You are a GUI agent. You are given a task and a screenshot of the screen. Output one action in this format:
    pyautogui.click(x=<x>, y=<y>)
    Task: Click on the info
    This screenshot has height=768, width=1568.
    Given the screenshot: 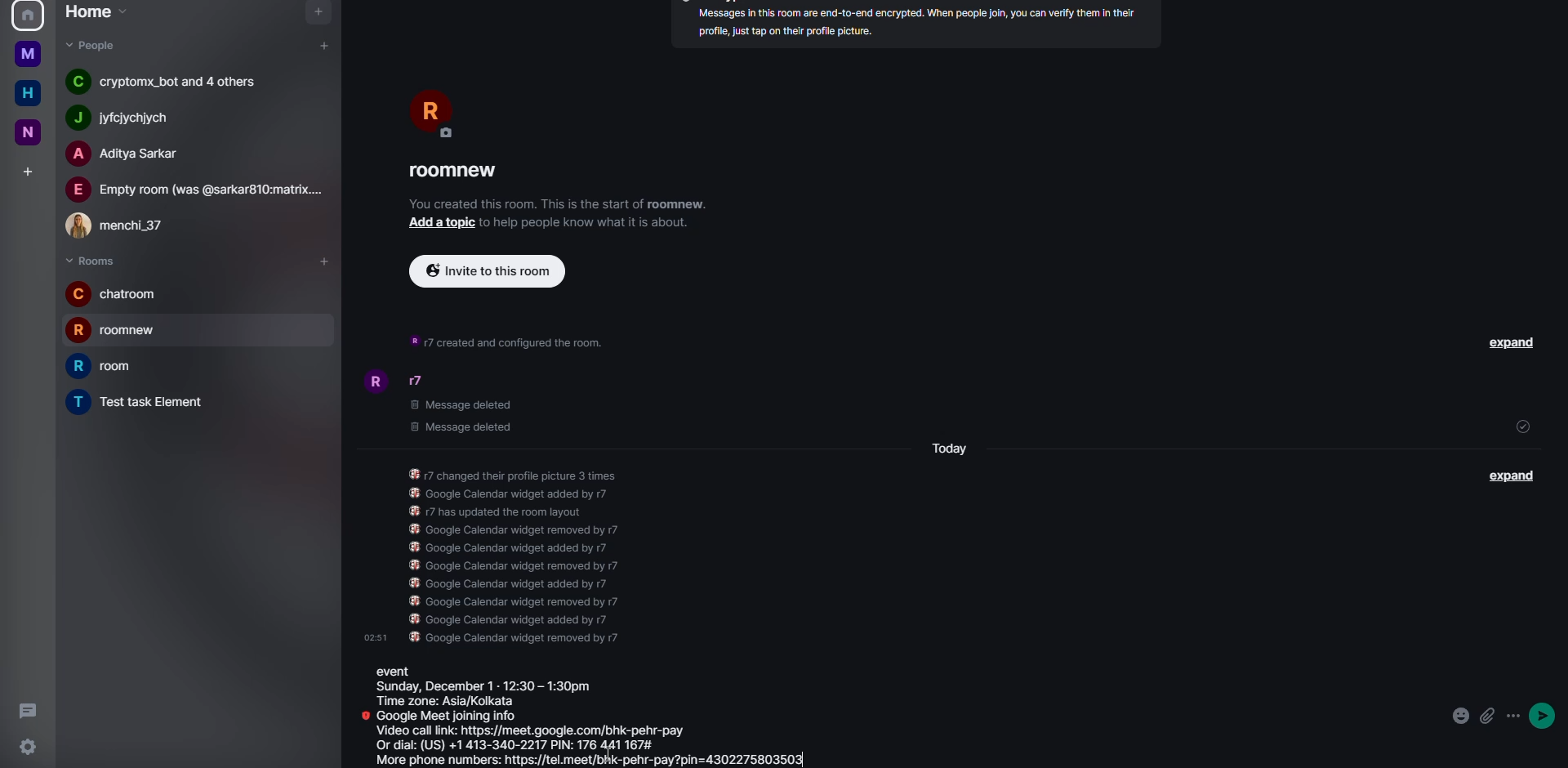 What is the action you would take?
    pyautogui.click(x=511, y=554)
    